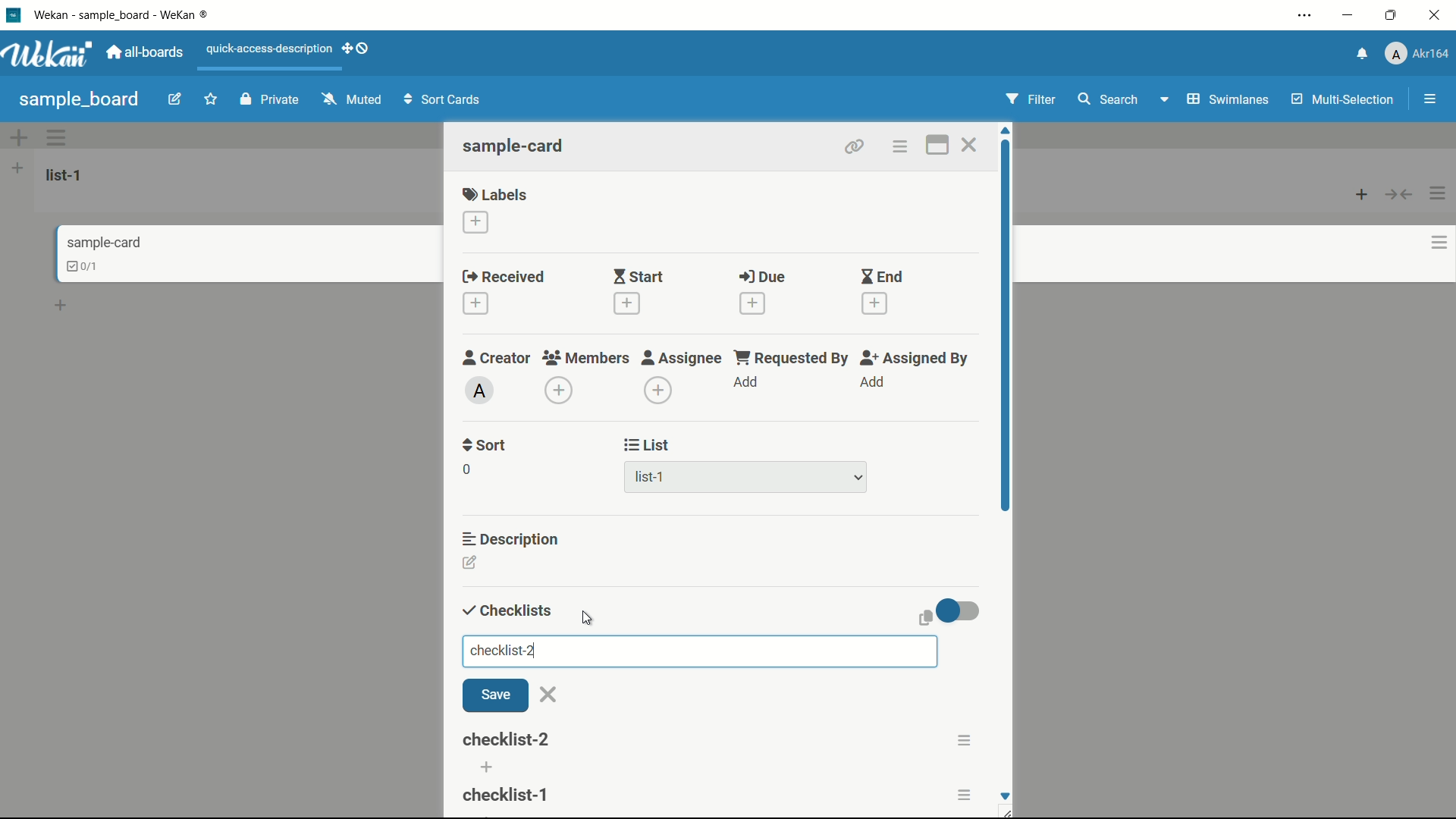  Describe the element at coordinates (146, 52) in the screenshot. I see `all boards` at that location.